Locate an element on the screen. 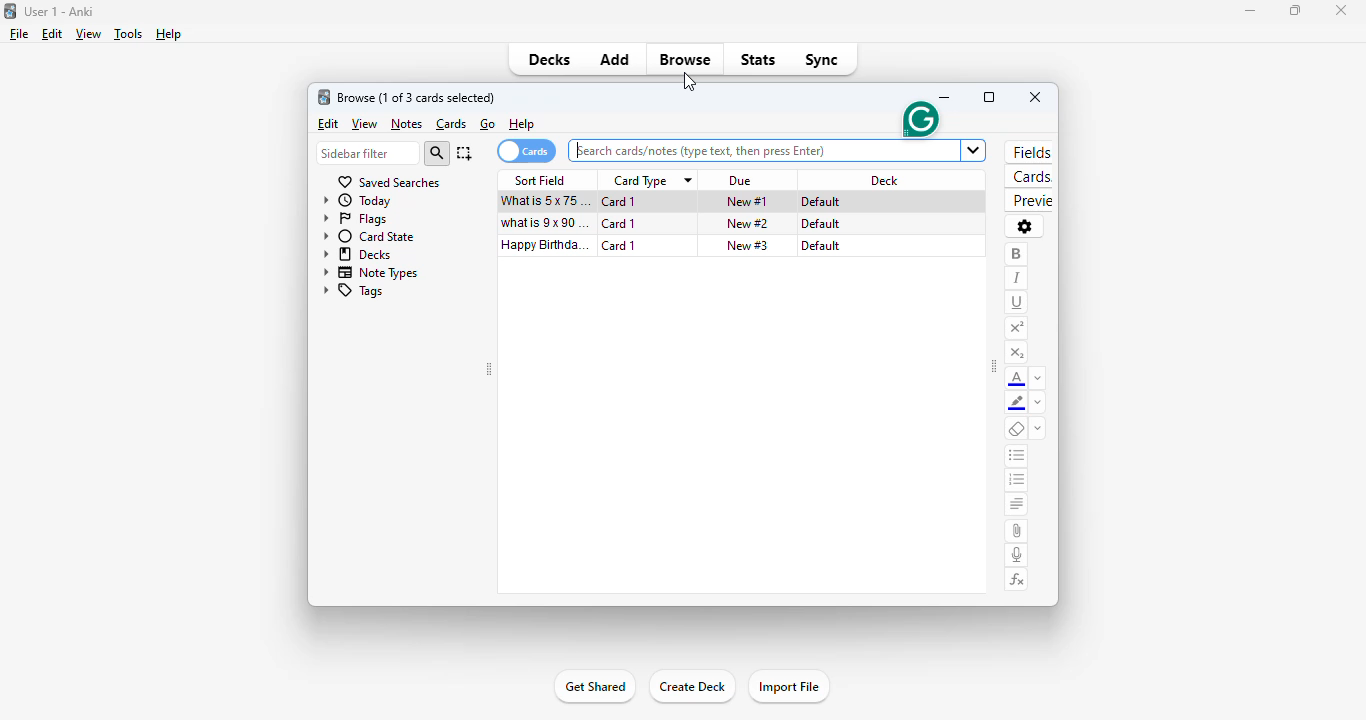  cards is located at coordinates (452, 124).